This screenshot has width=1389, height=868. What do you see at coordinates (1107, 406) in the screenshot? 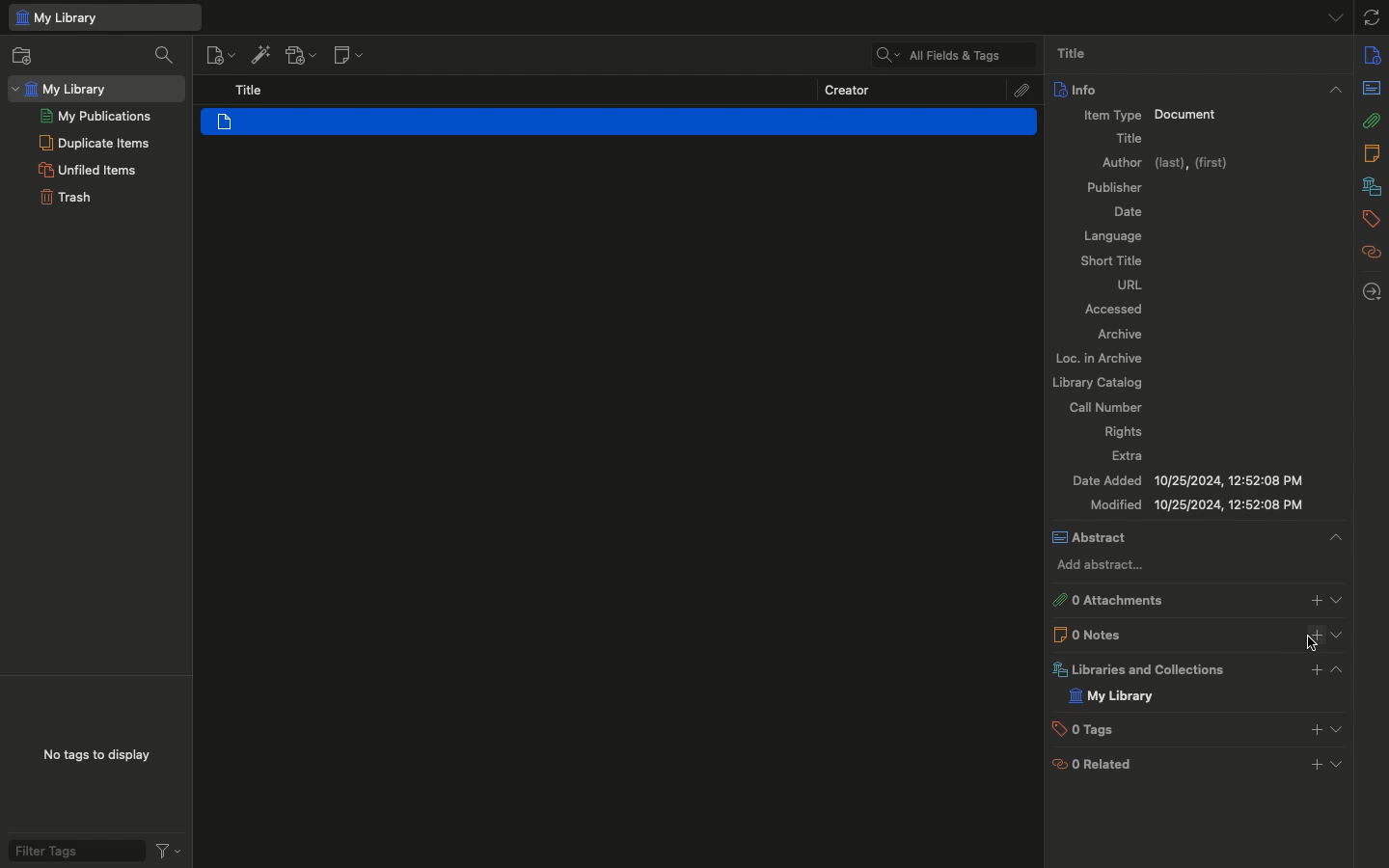
I see `Call number` at bounding box center [1107, 406].